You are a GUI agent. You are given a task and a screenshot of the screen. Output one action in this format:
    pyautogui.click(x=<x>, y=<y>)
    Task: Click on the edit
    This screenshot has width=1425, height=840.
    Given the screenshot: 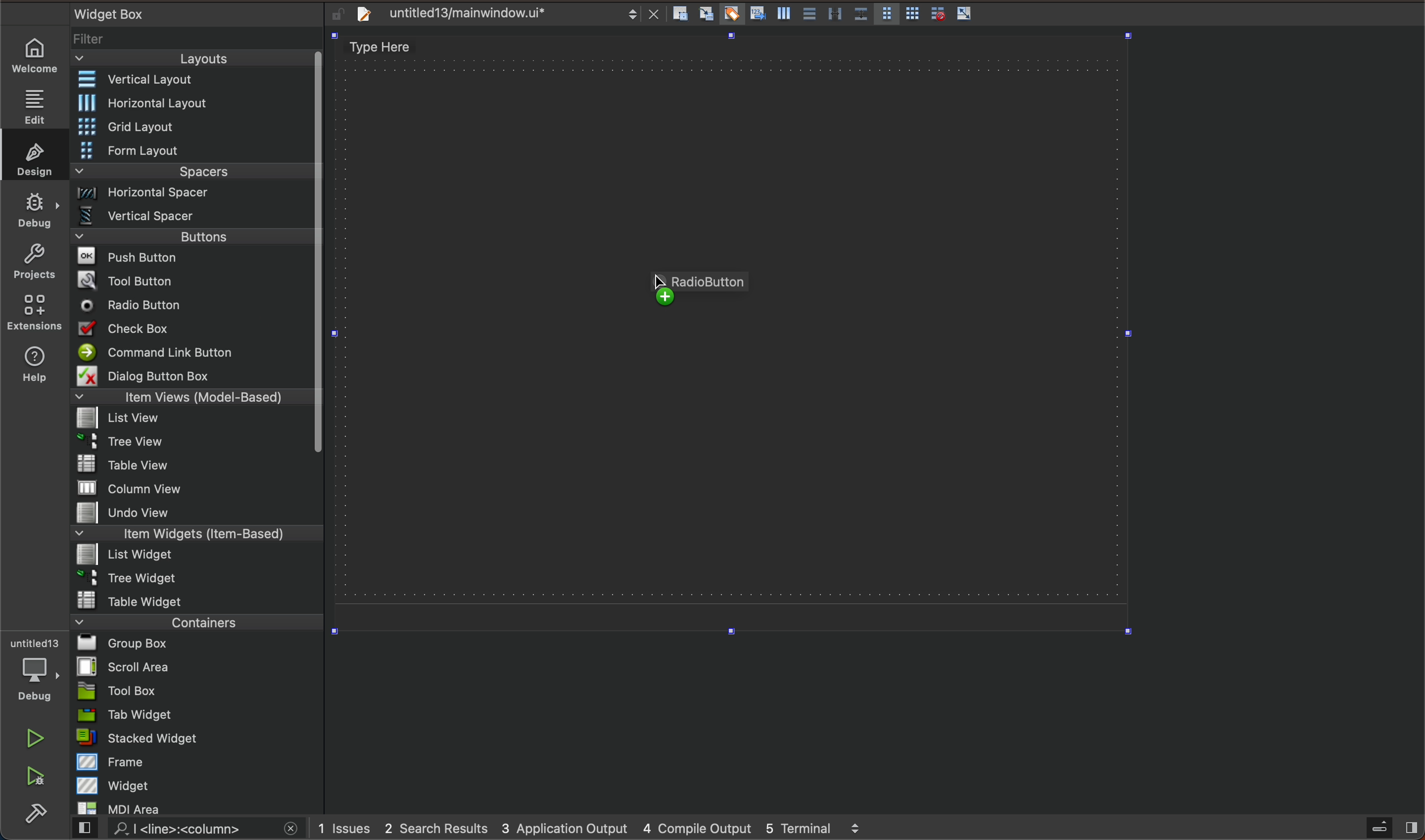 What is the action you would take?
    pyautogui.click(x=40, y=102)
    